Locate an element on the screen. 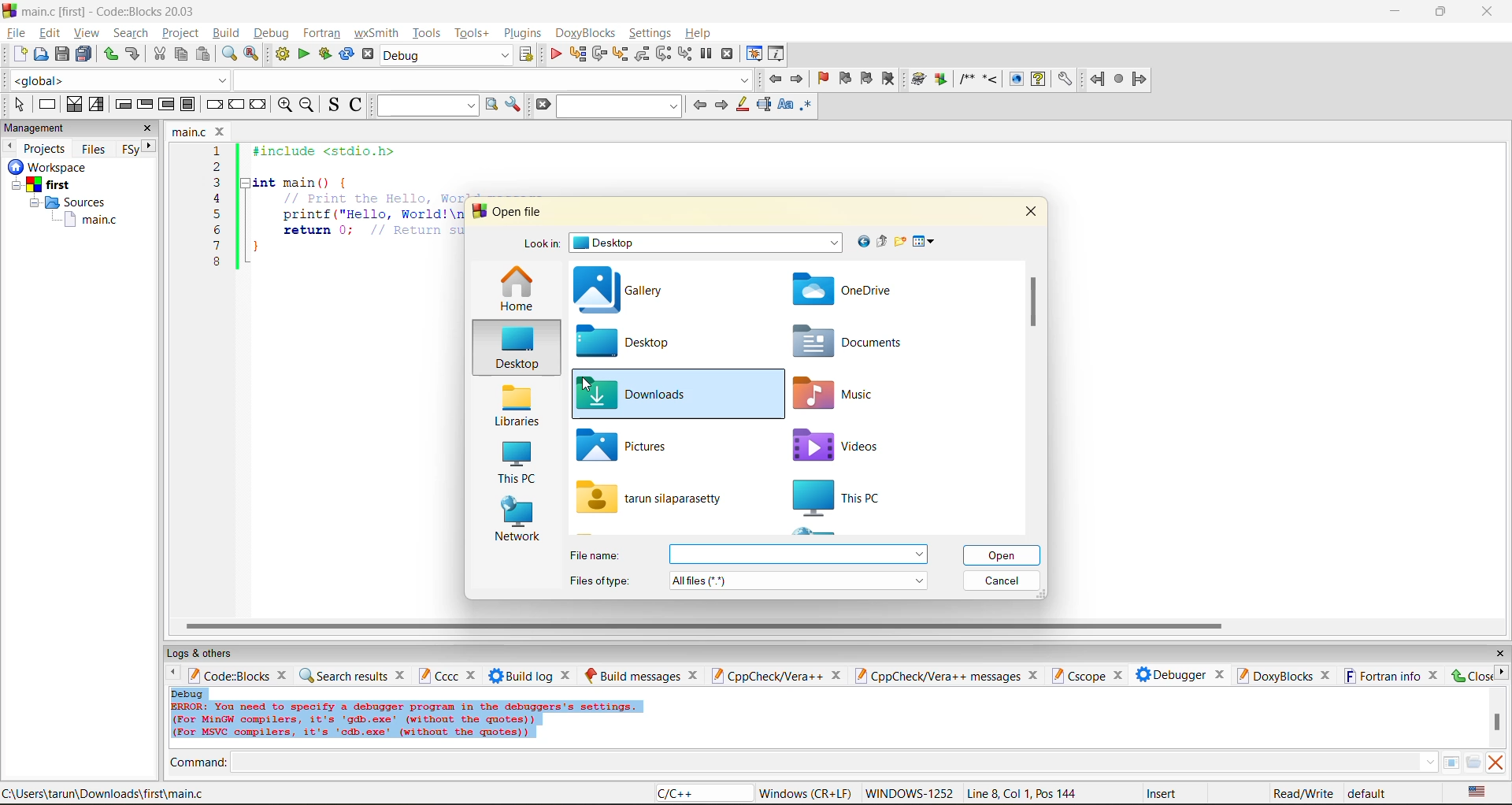 The image size is (1512, 805). paste is located at coordinates (203, 54).